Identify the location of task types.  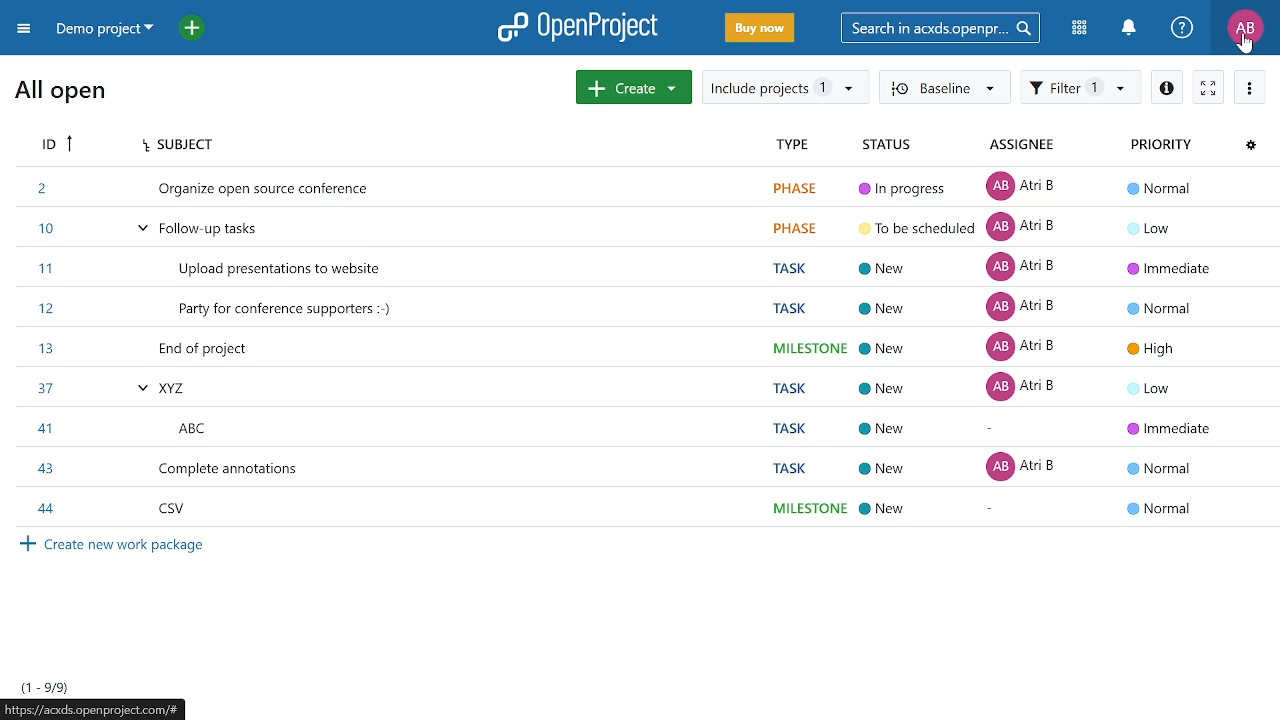
(805, 347).